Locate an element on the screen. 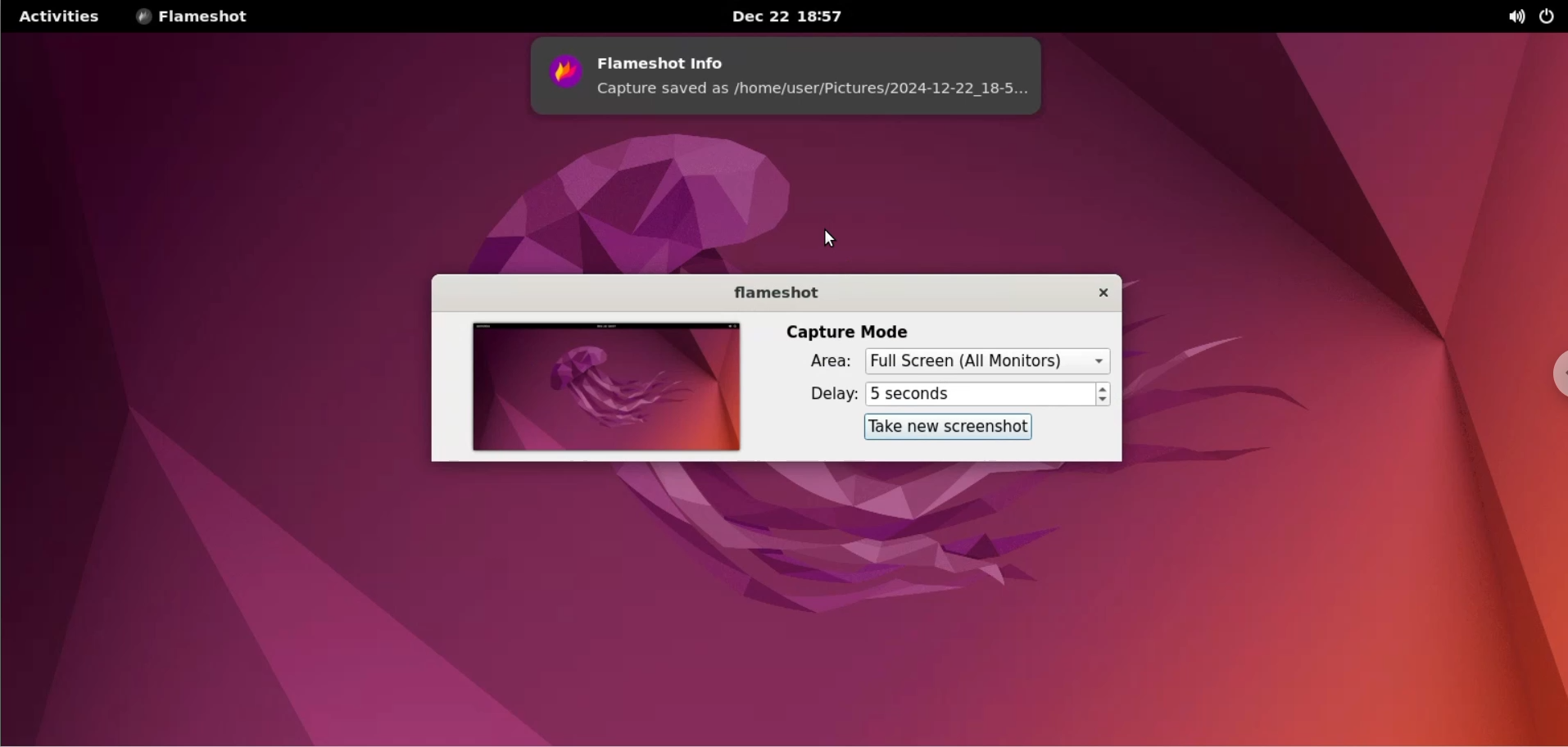  chrome options is located at coordinates (1552, 376).